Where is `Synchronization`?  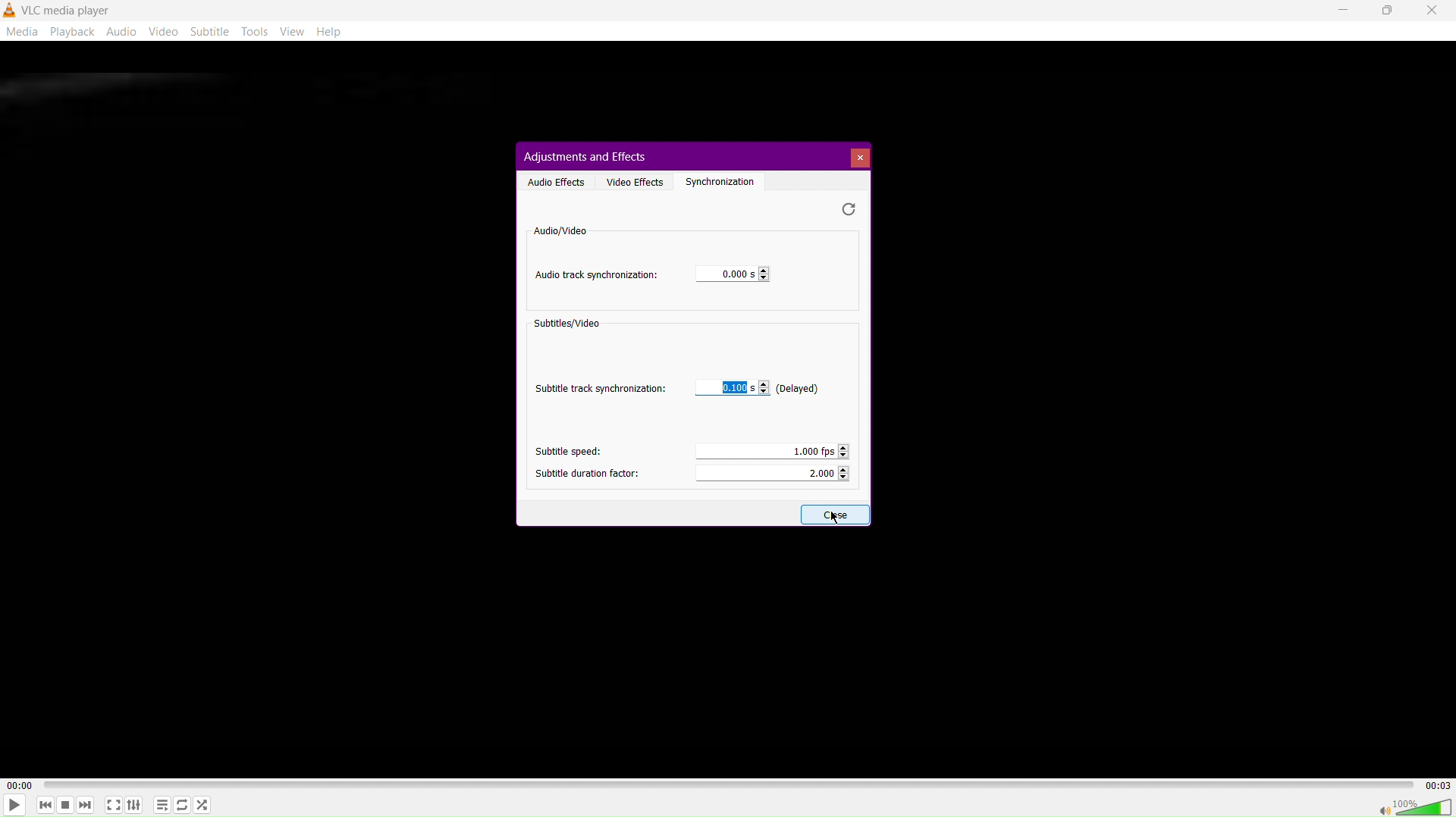
Synchronization is located at coordinates (725, 180).